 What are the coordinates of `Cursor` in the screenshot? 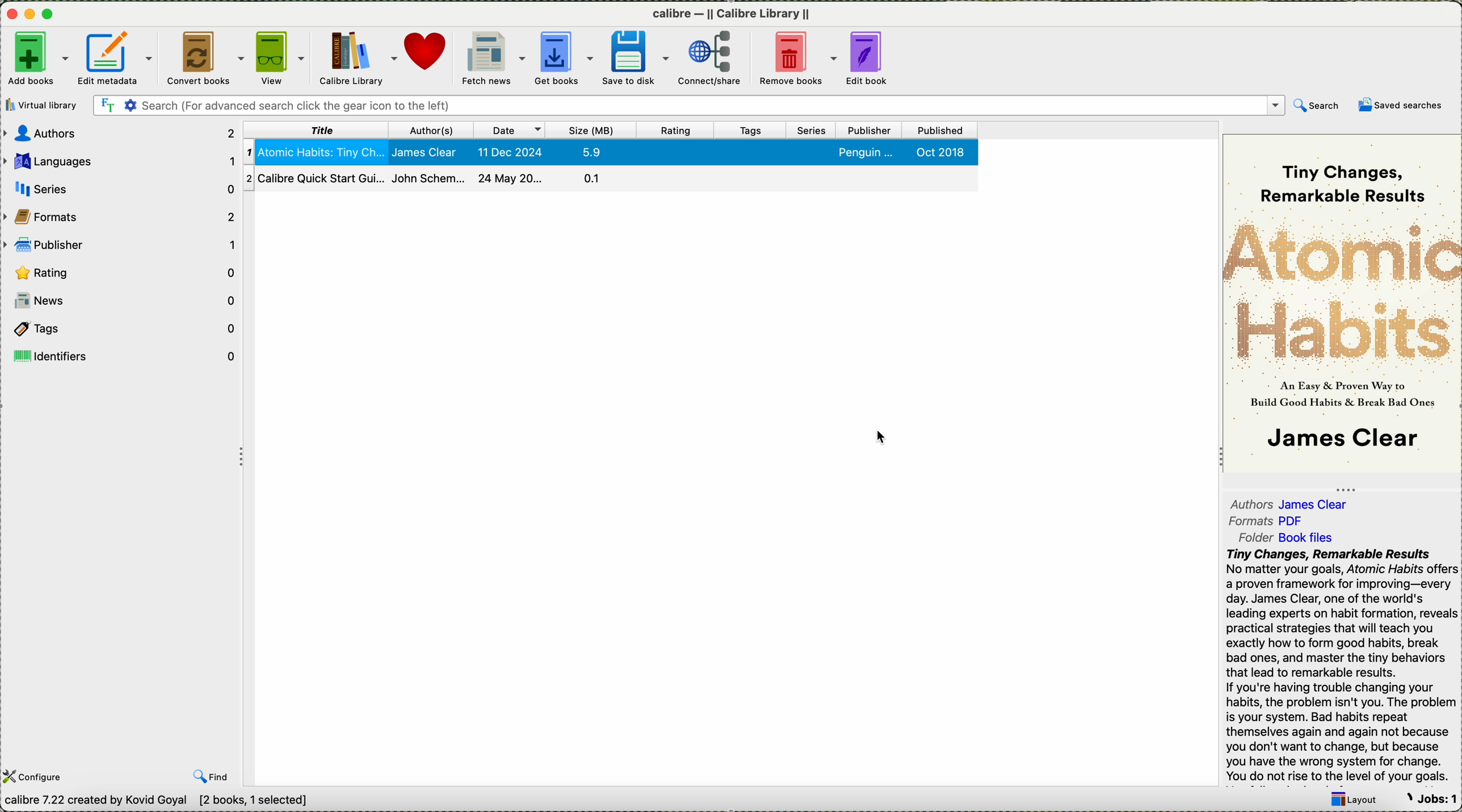 It's located at (887, 441).